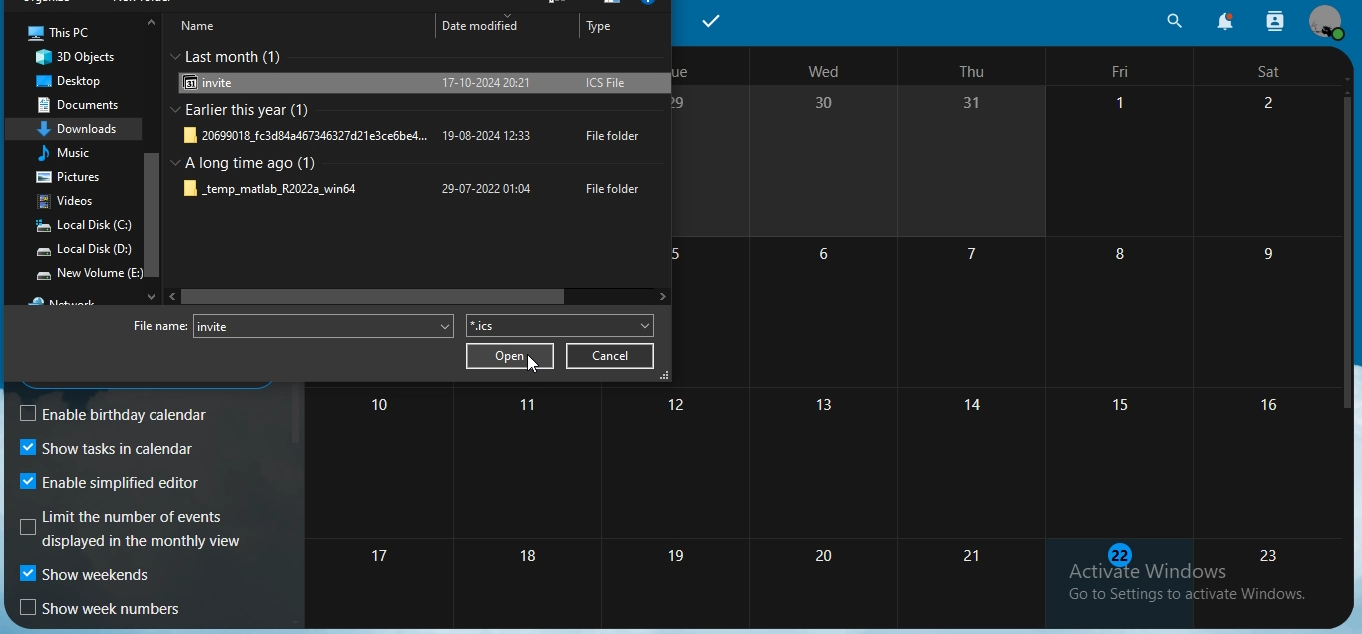  Describe the element at coordinates (602, 30) in the screenshot. I see `type` at that location.